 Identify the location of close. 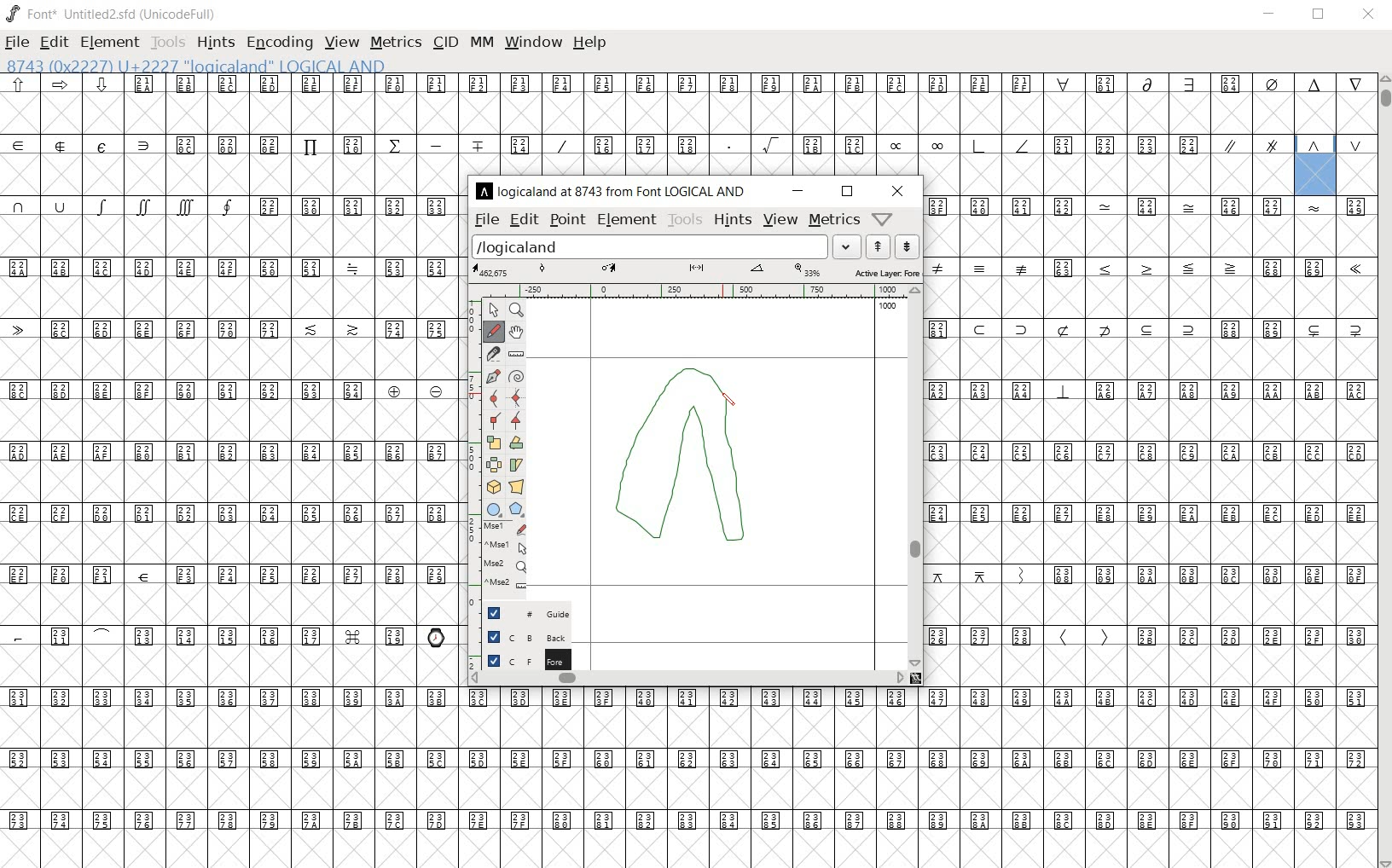
(1372, 14).